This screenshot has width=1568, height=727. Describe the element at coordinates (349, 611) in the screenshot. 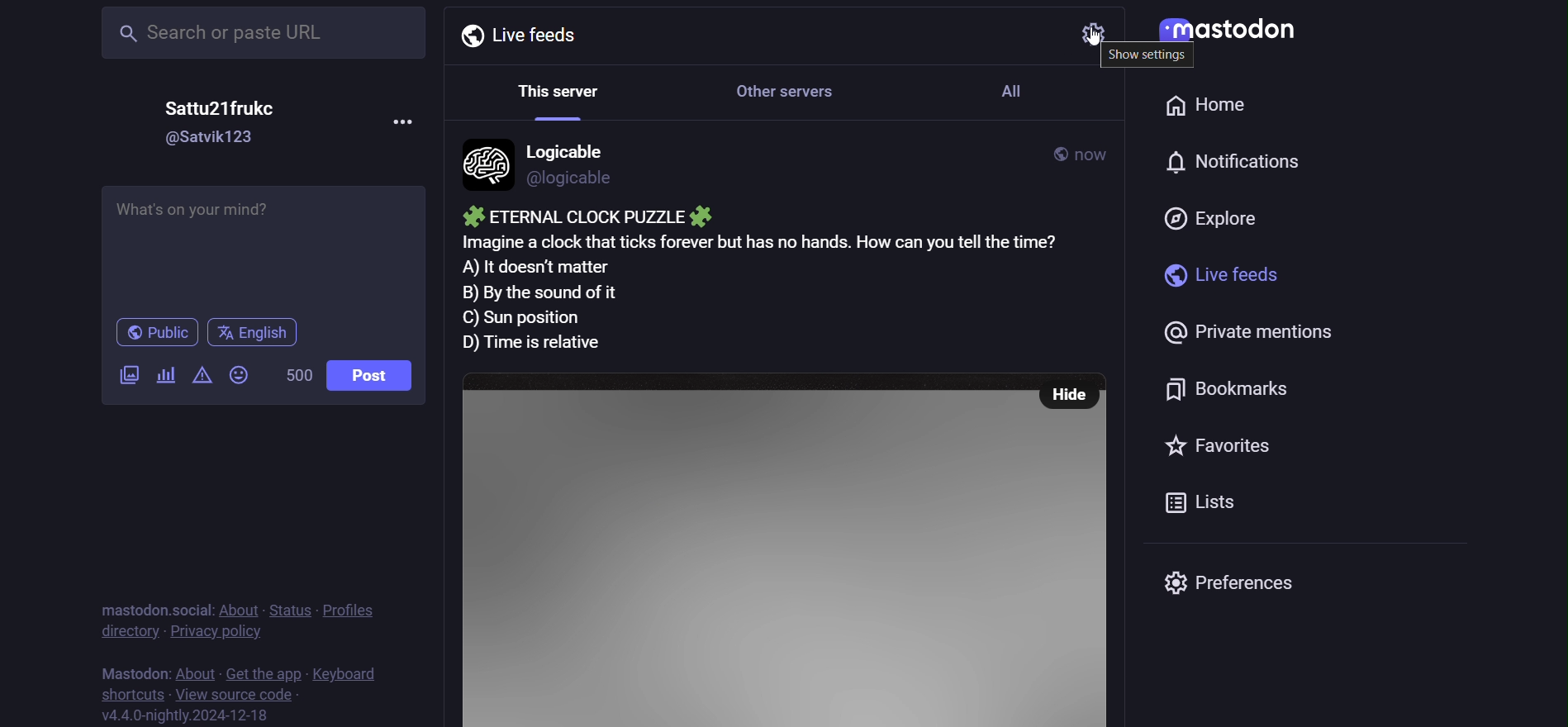

I see `profiles` at that location.